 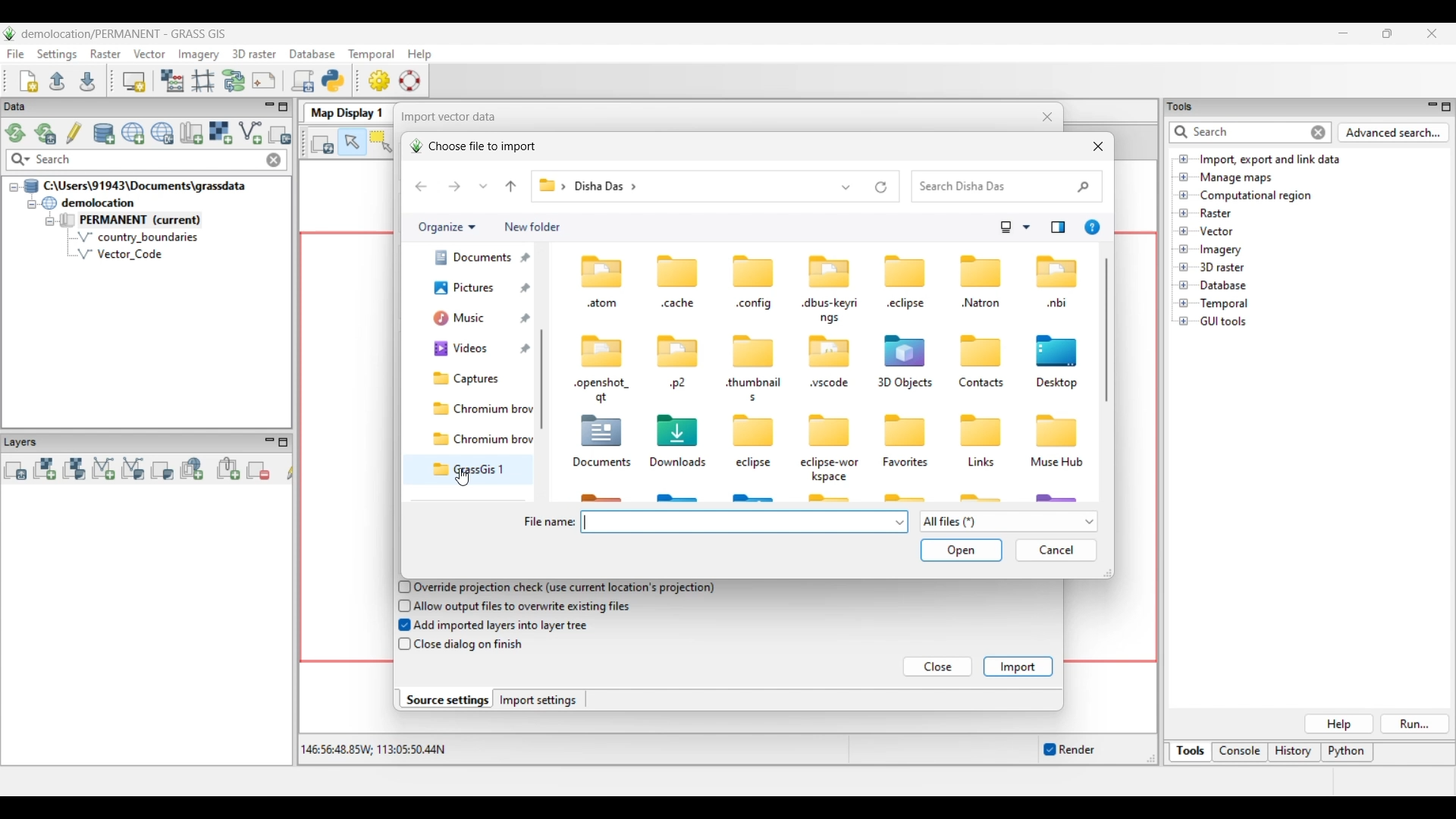 I want to click on Software logo, so click(x=10, y=33).